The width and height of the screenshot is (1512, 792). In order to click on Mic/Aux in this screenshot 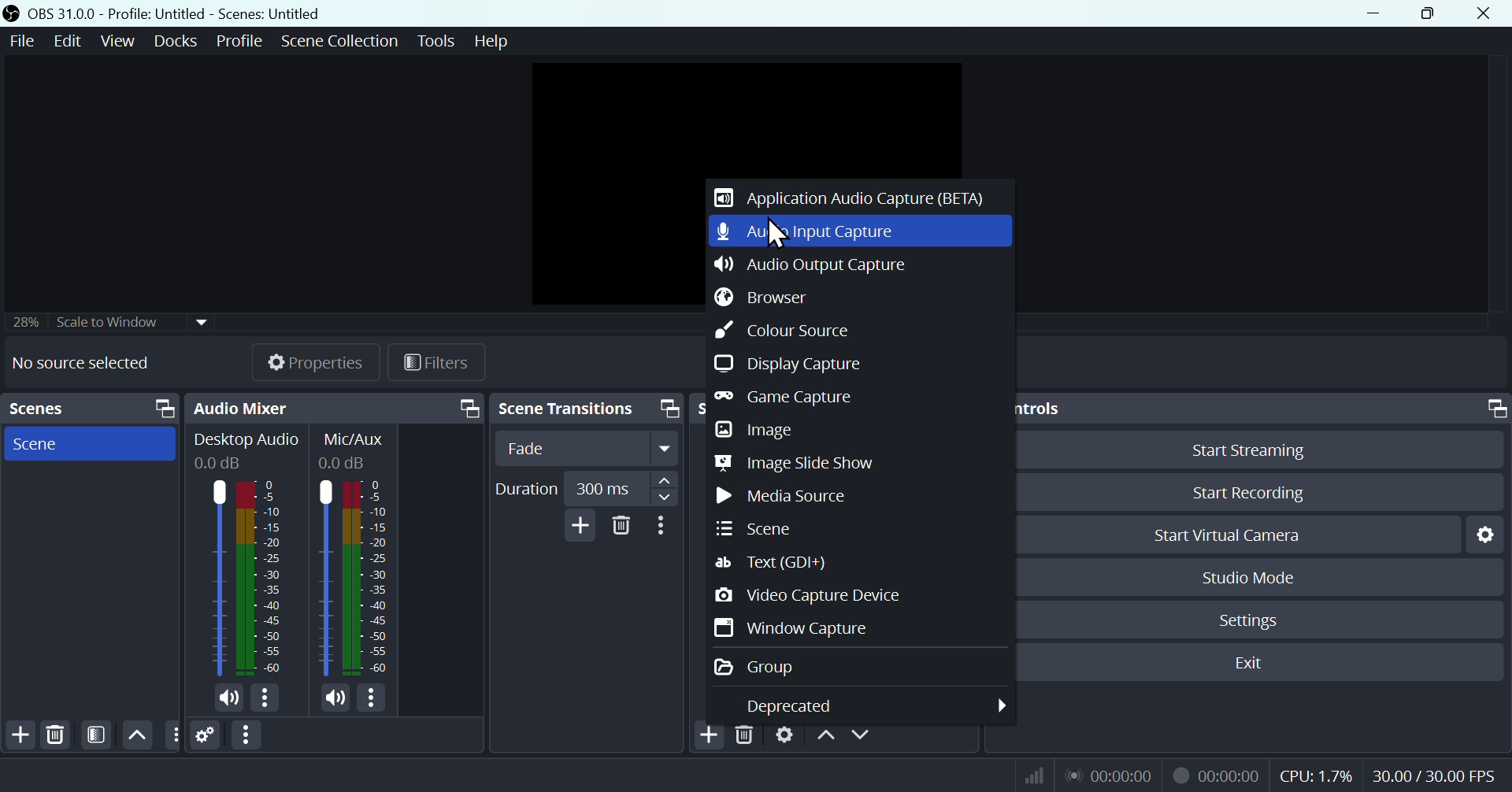, I will do `click(324, 578)`.